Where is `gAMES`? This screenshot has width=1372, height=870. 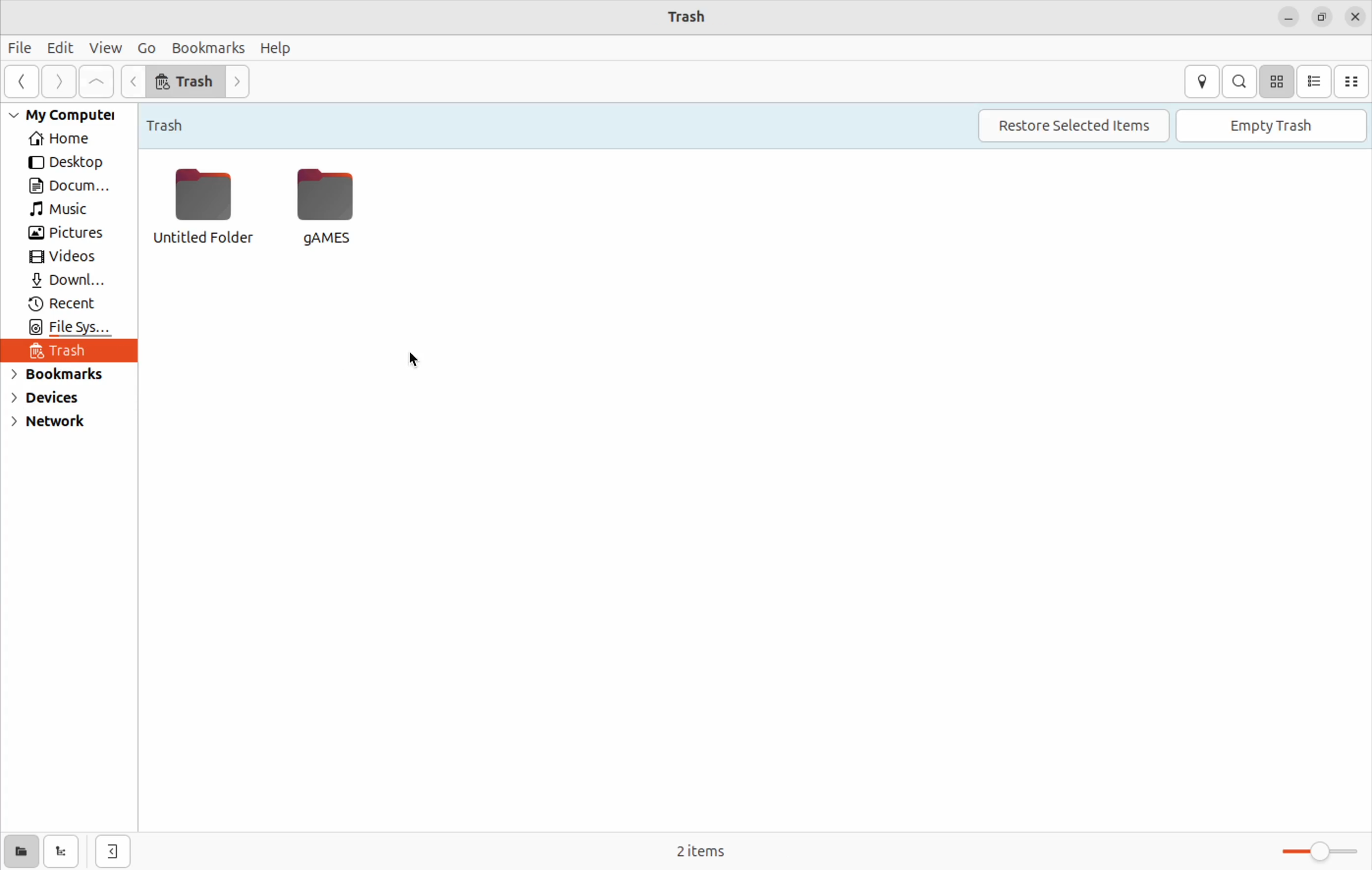
gAMES is located at coordinates (330, 206).